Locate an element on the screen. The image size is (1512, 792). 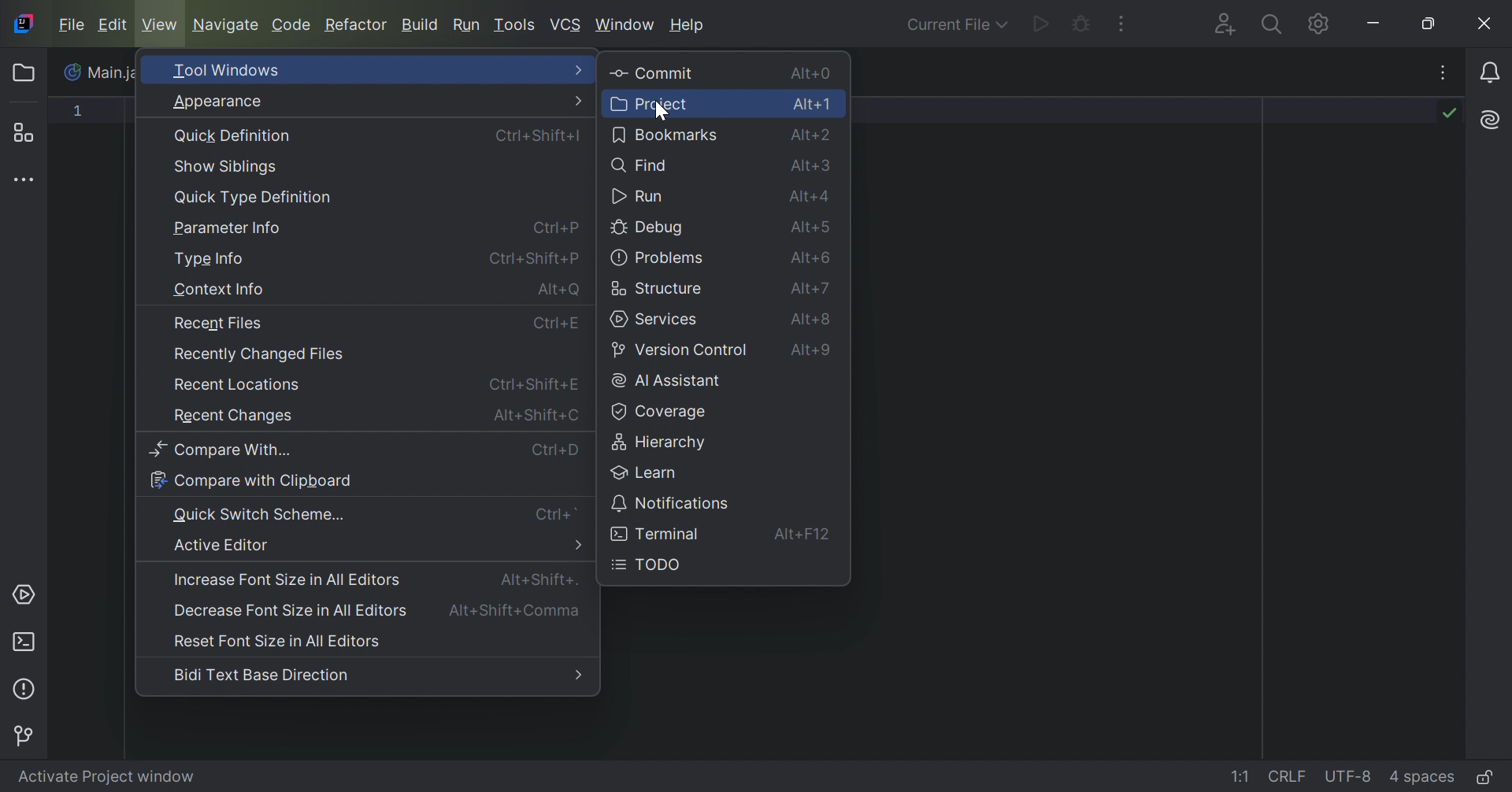
Alt+3 is located at coordinates (813, 167).